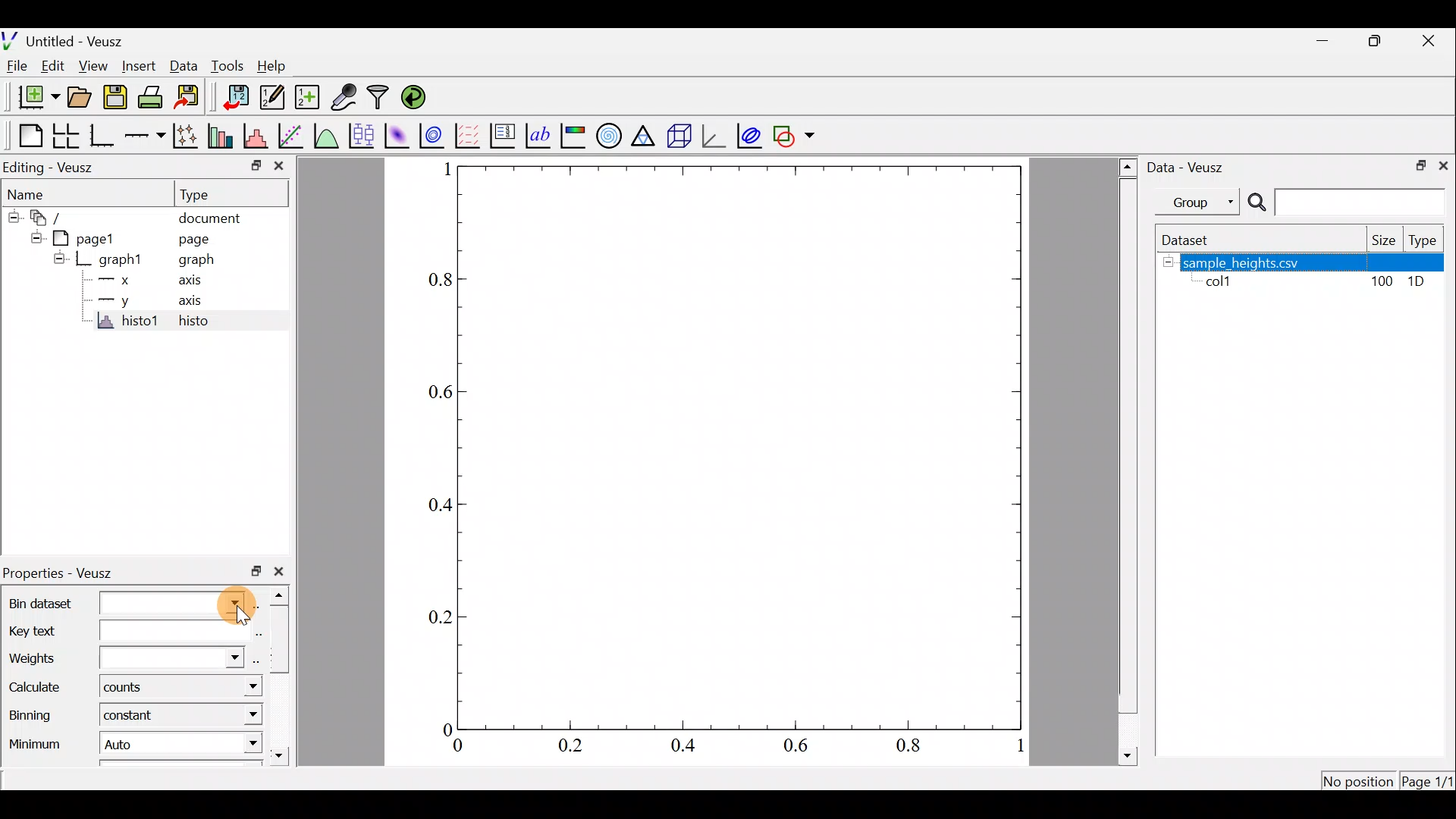 The image size is (1456, 819). Describe the element at coordinates (33, 193) in the screenshot. I see `Name` at that location.